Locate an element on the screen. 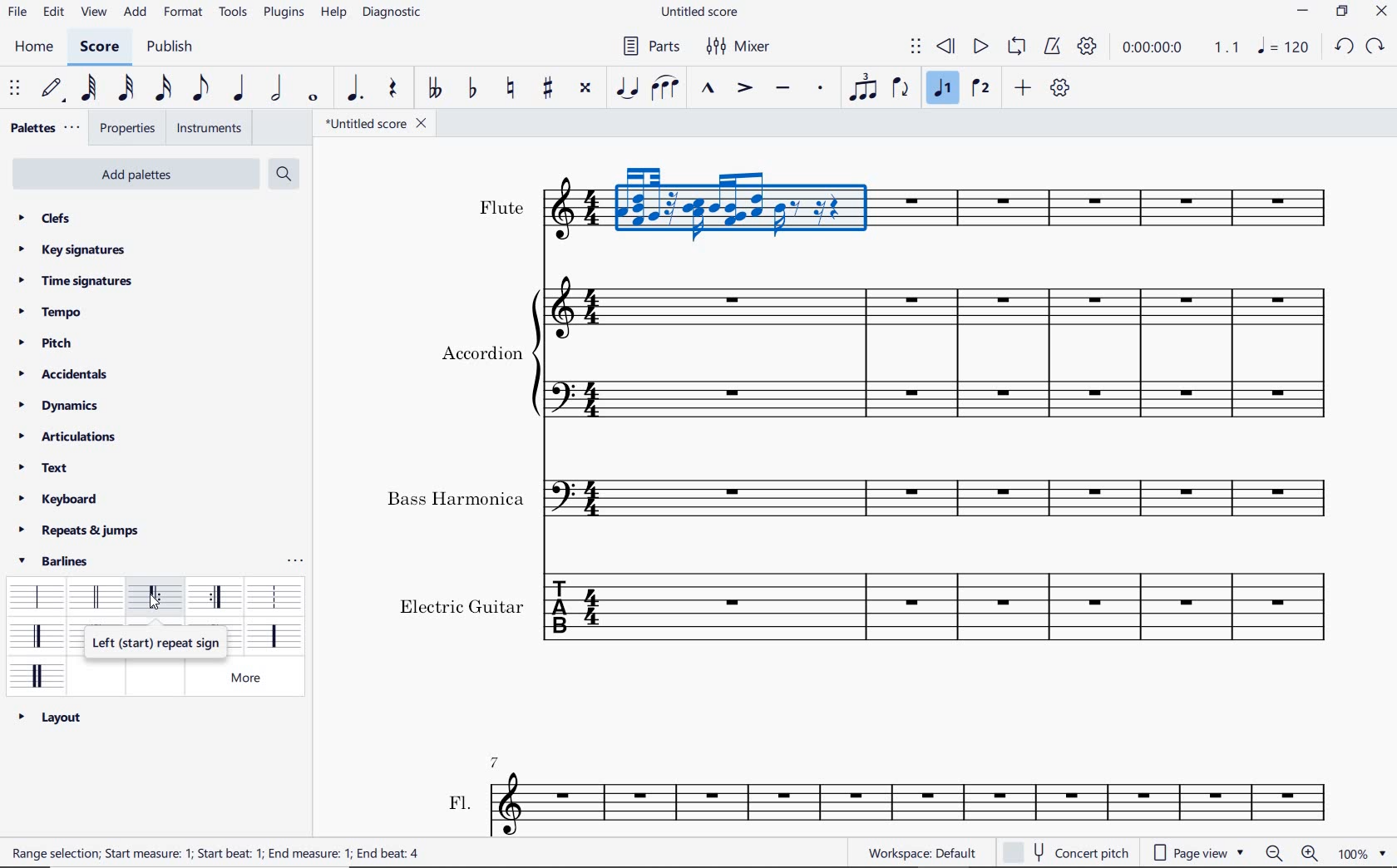  heavy barline is located at coordinates (274, 635).